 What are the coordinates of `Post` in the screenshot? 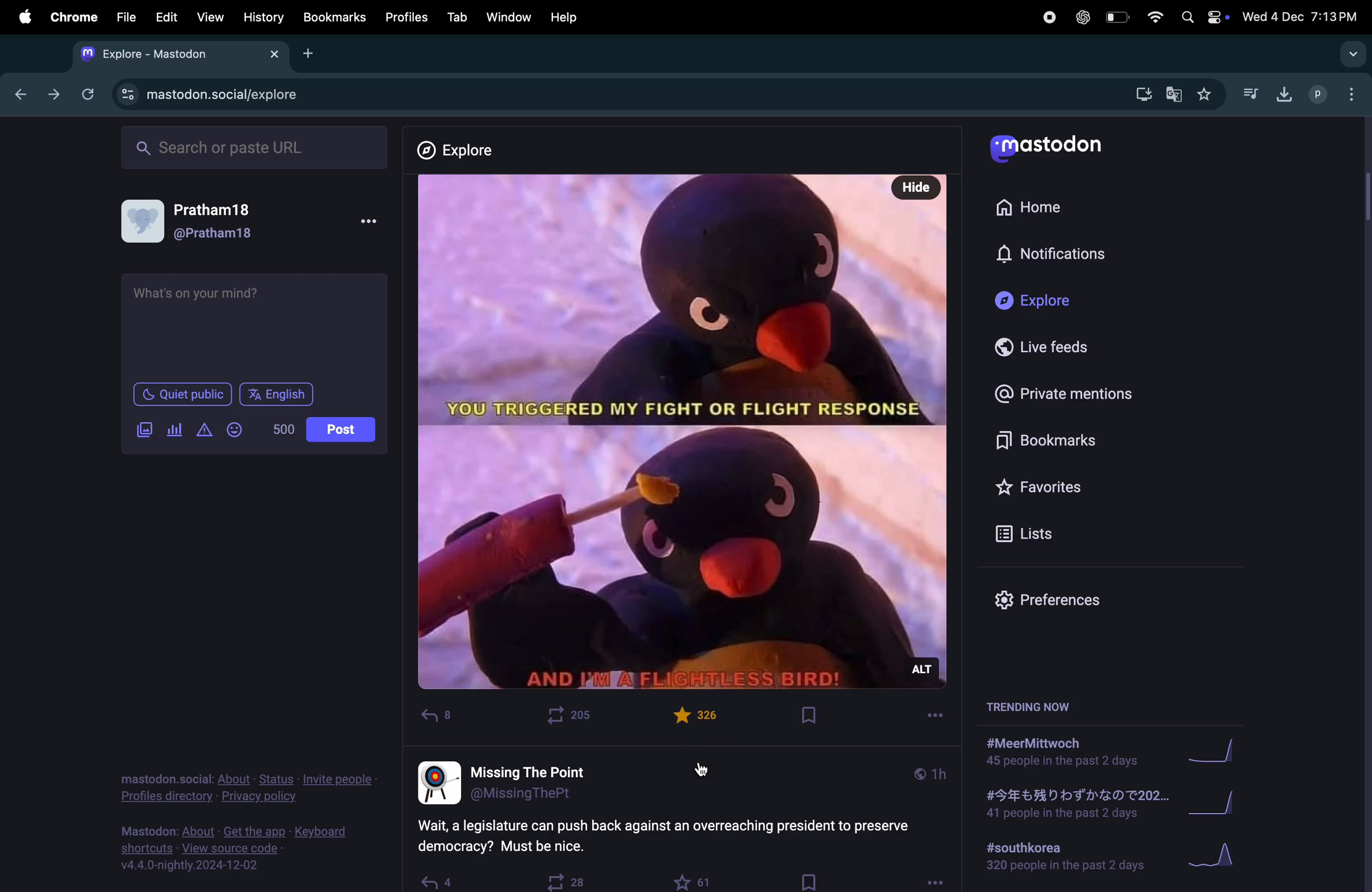 It's located at (680, 432).